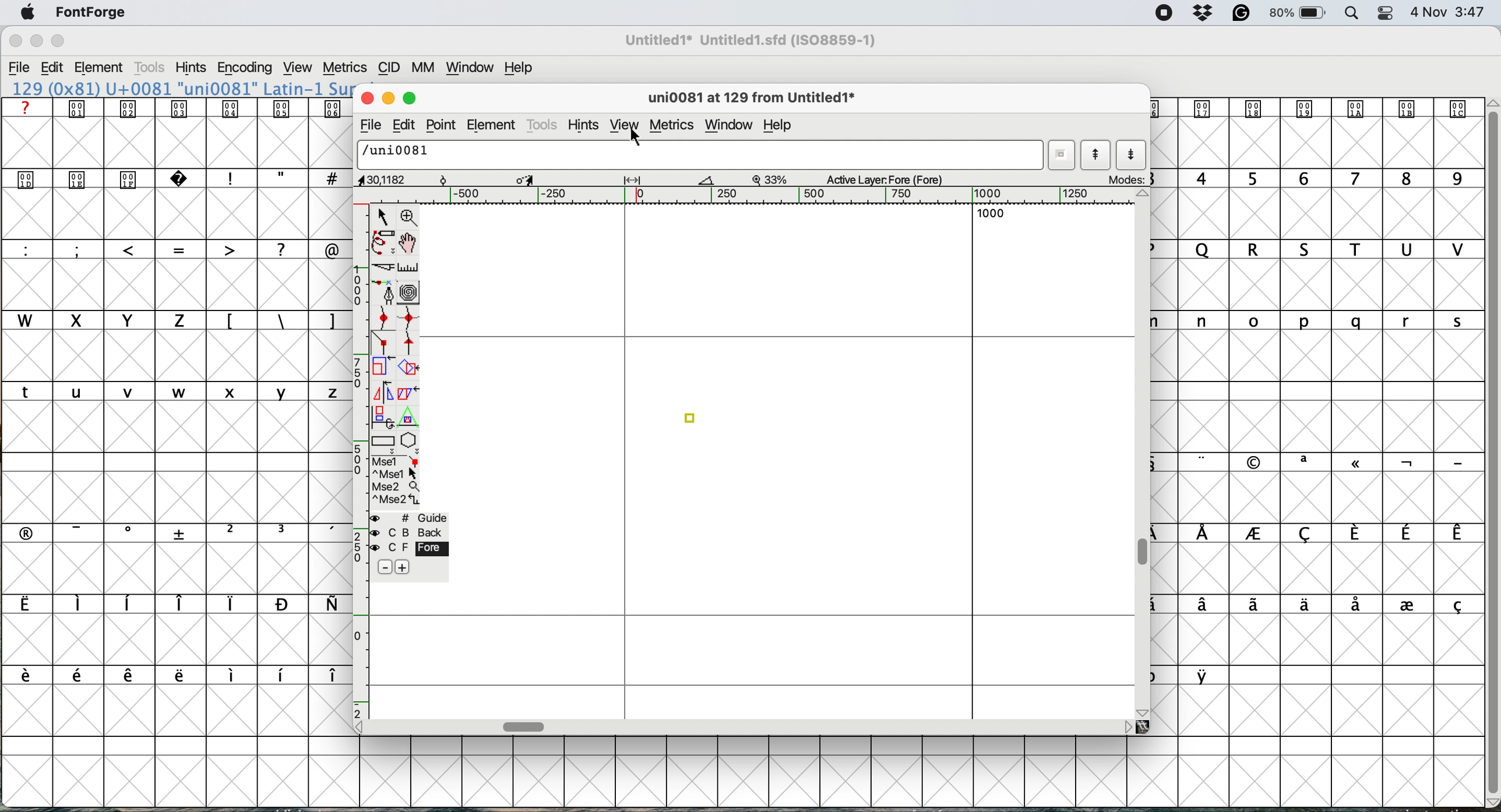 This screenshot has width=1501, height=812. Describe the element at coordinates (991, 214) in the screenshot. I see `1000` at that location.